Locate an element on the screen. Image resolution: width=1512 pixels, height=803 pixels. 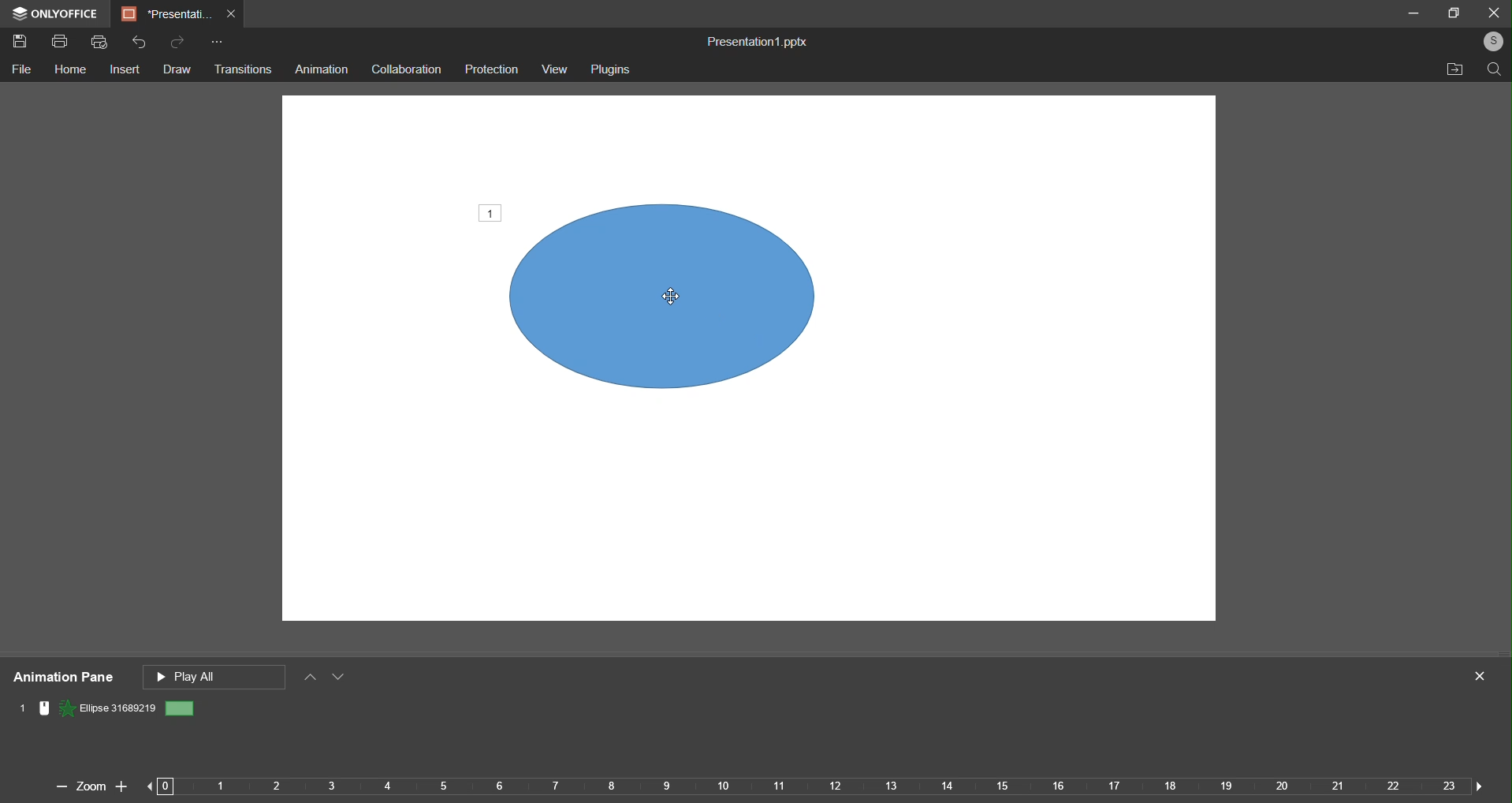
cursor is located at coordinates (676, 297).